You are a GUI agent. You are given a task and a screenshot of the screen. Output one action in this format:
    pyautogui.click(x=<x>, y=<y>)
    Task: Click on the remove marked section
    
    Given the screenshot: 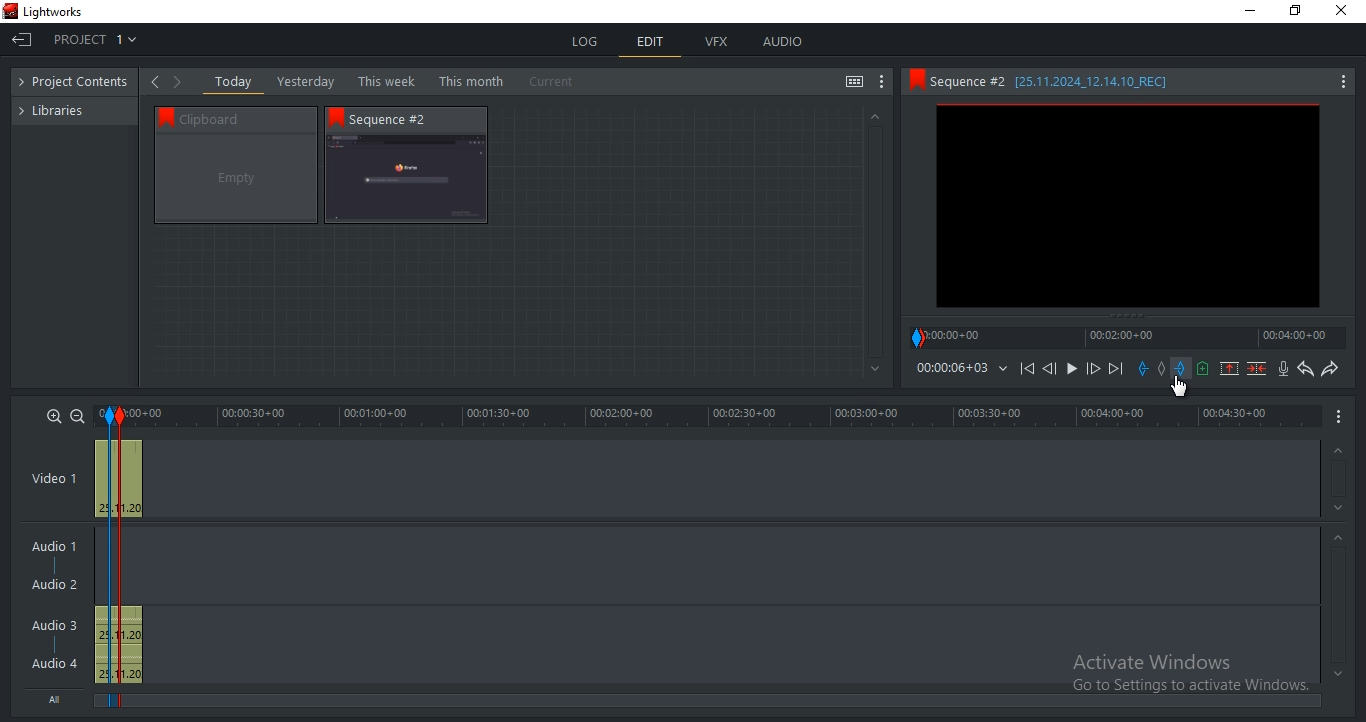 What is the action you would take?
    pyautogui.click(x=1229, y=367)
    